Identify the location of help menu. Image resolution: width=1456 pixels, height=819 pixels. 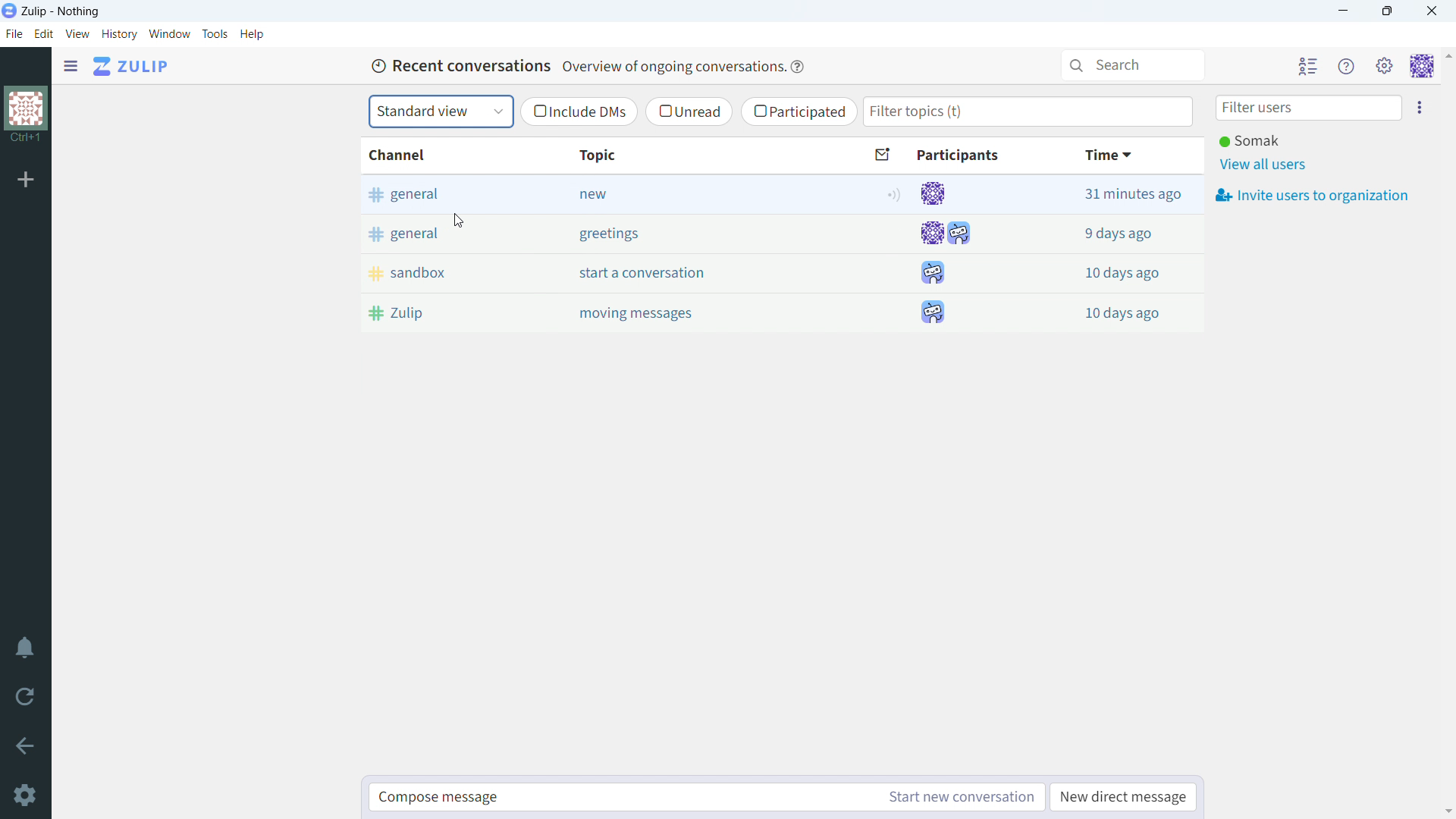
(1346, 66).